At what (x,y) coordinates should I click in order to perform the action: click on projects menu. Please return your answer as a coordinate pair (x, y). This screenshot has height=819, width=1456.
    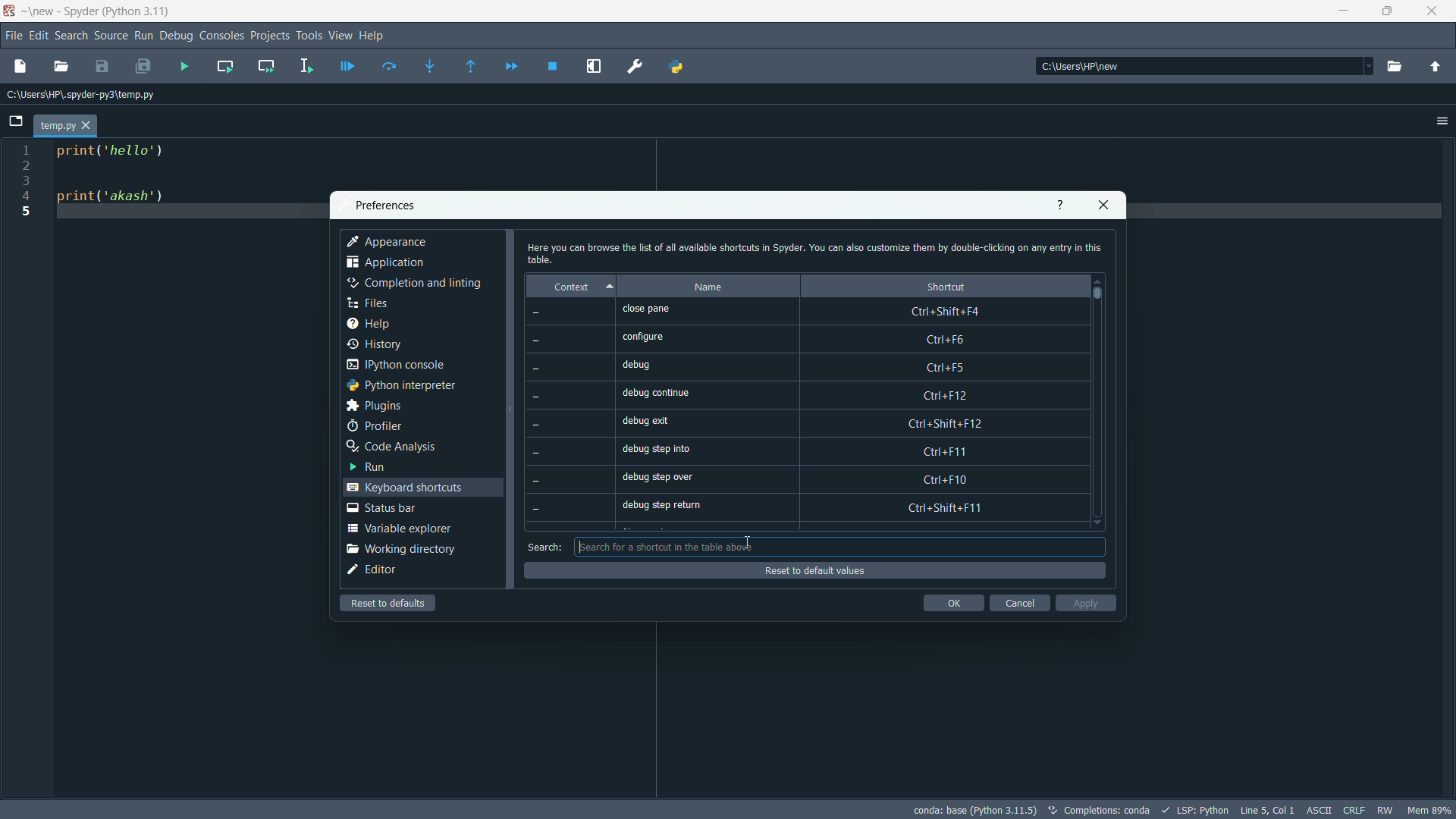
    Looking at the image, I should click on (268, 35).